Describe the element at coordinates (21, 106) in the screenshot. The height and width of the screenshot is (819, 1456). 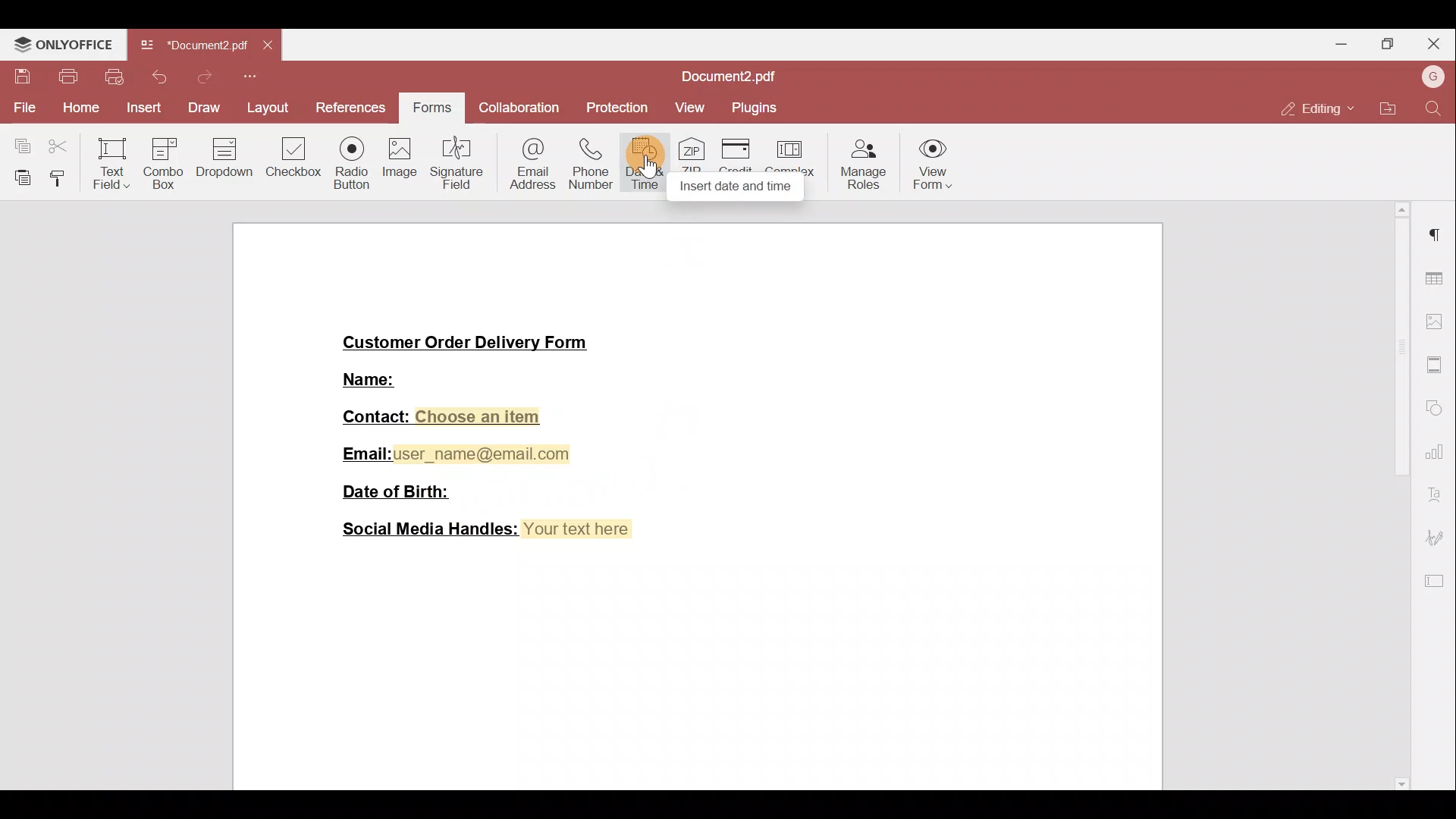
I see `File` at that location.